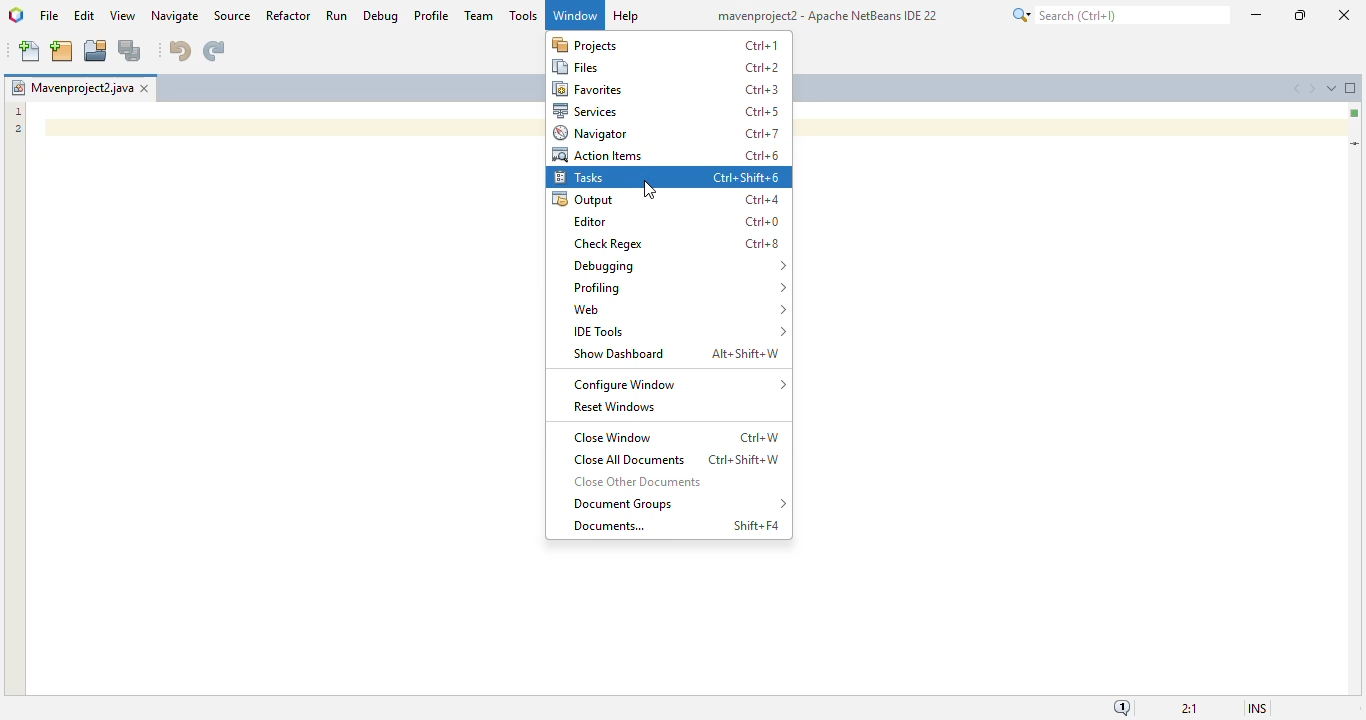  I want to click on favorites, so click(587, 88).